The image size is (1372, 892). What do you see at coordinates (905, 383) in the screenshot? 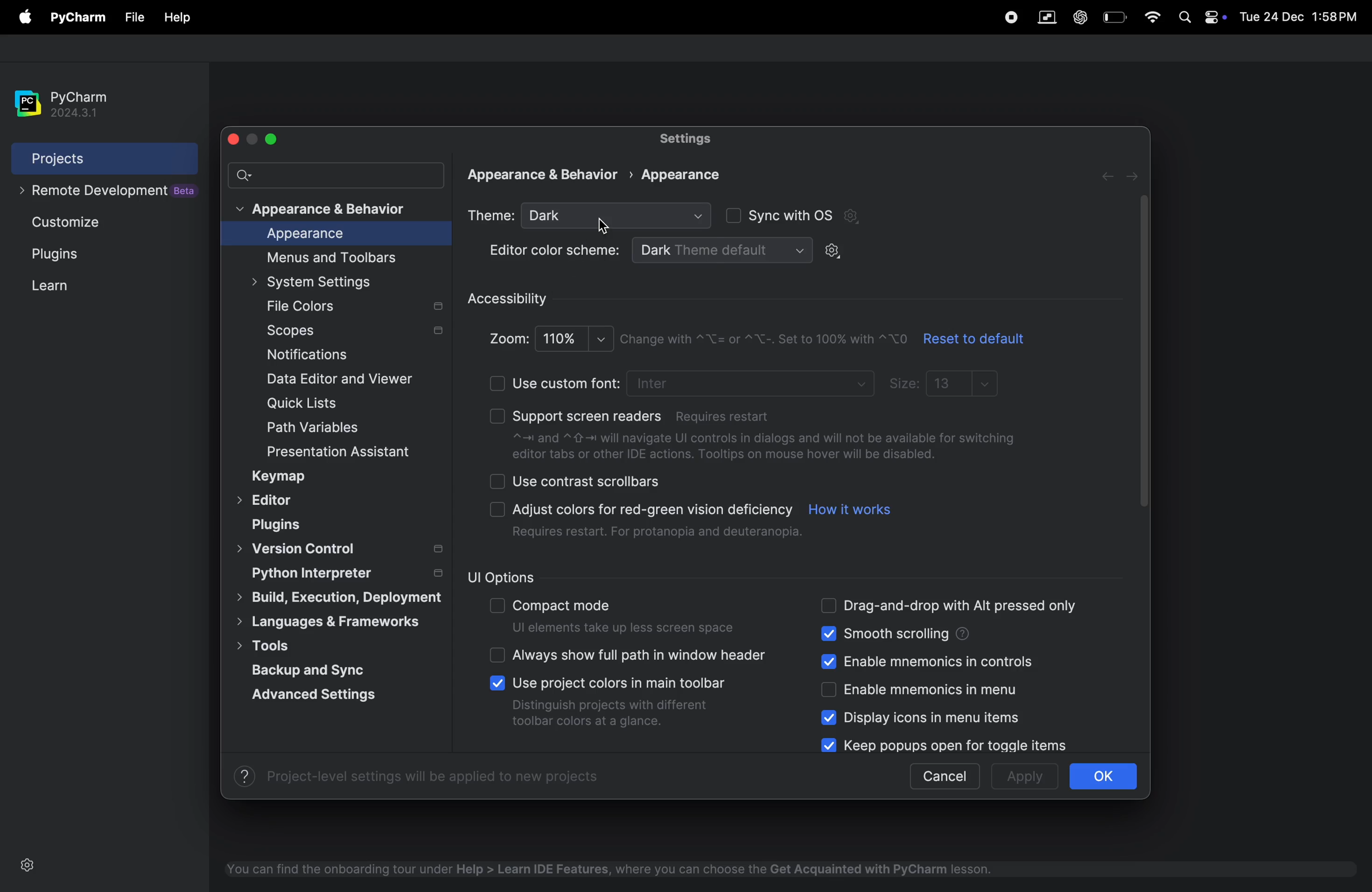
I see `sizes` at bounding box center [905, 383].